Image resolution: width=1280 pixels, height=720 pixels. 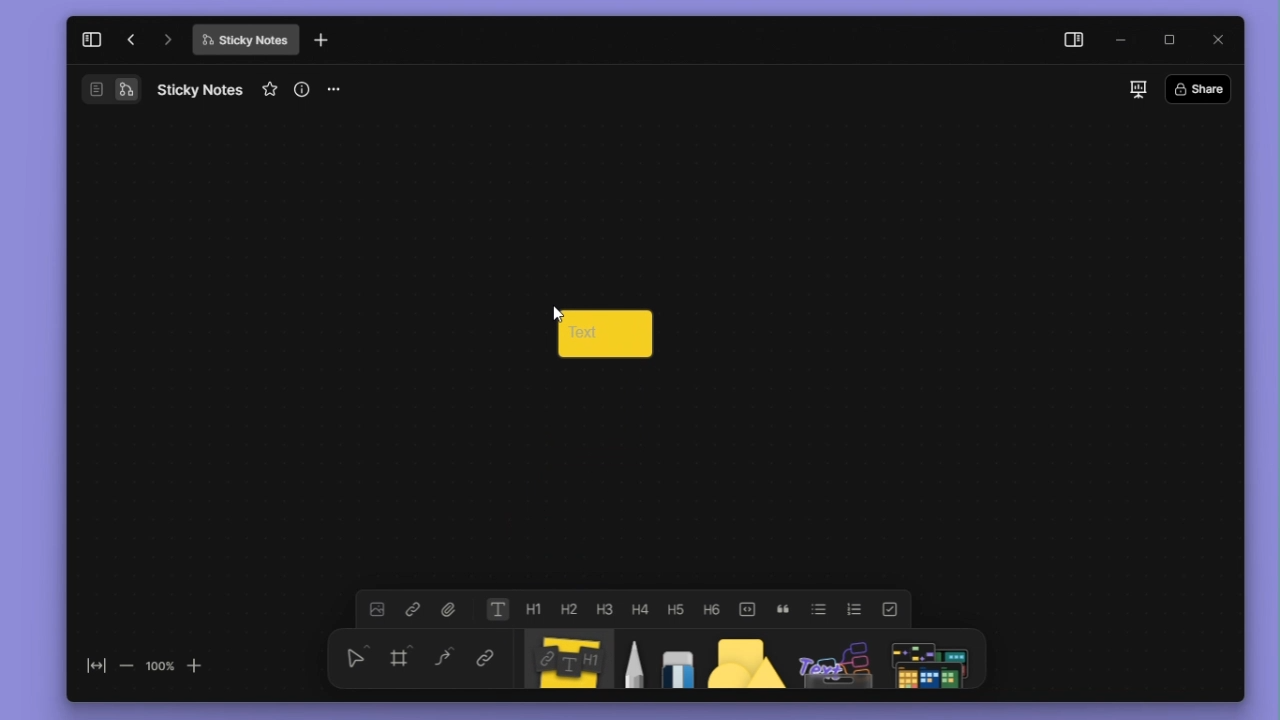 I want to click on Text, so click(x=603, y=331).